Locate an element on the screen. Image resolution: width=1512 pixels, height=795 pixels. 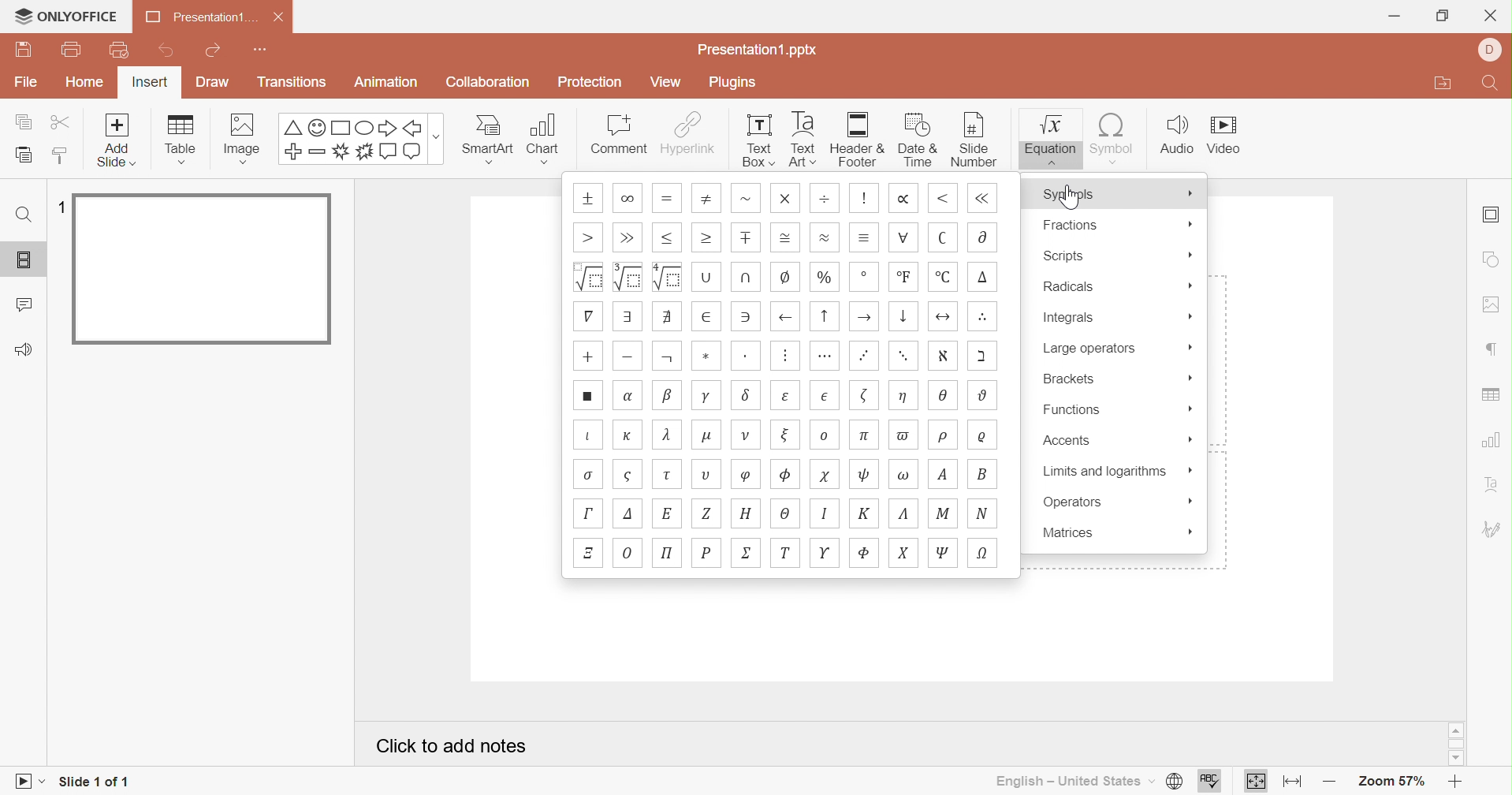
Brackets is located at coordinates (1115, 379).